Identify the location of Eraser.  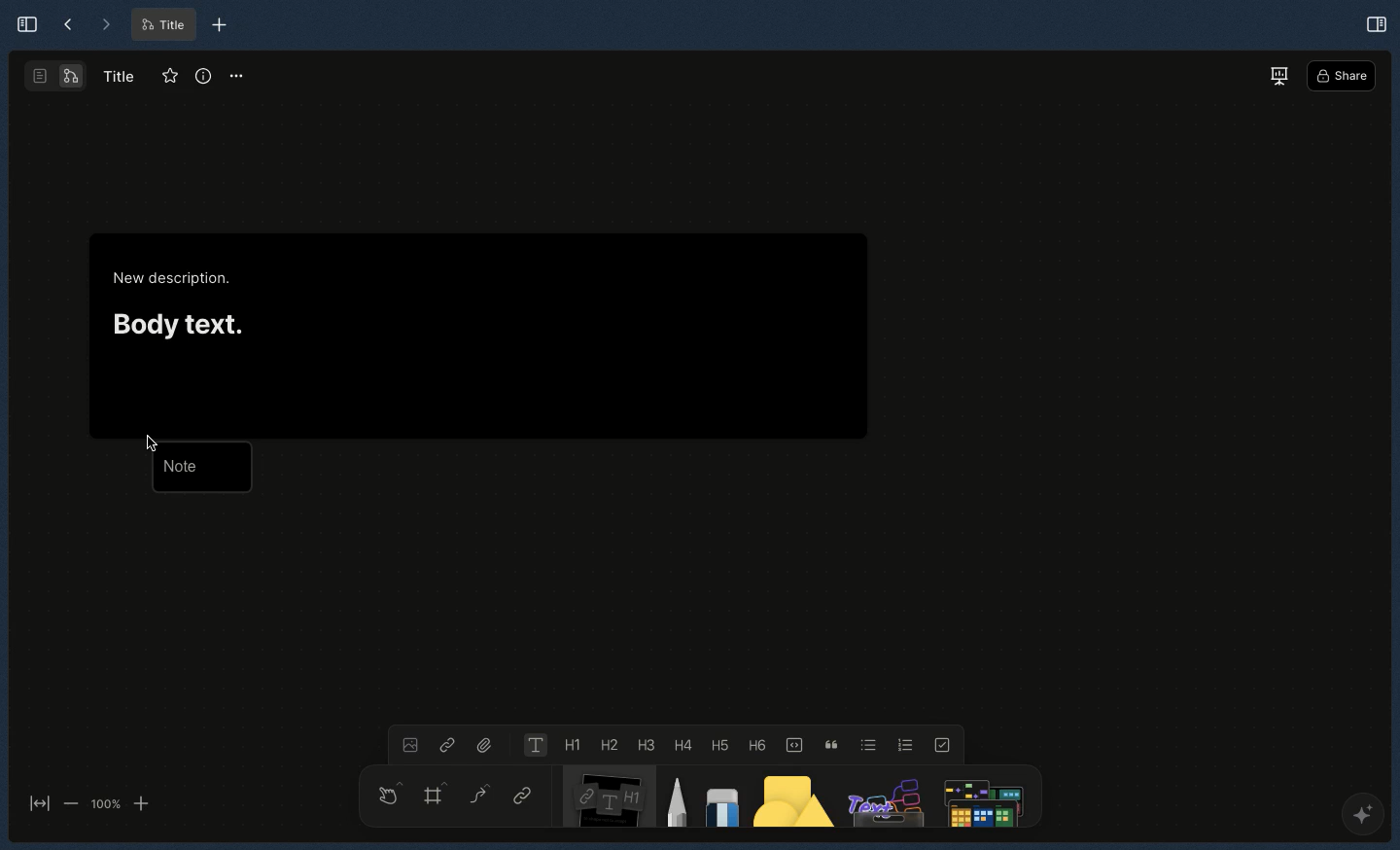
(720, 802).